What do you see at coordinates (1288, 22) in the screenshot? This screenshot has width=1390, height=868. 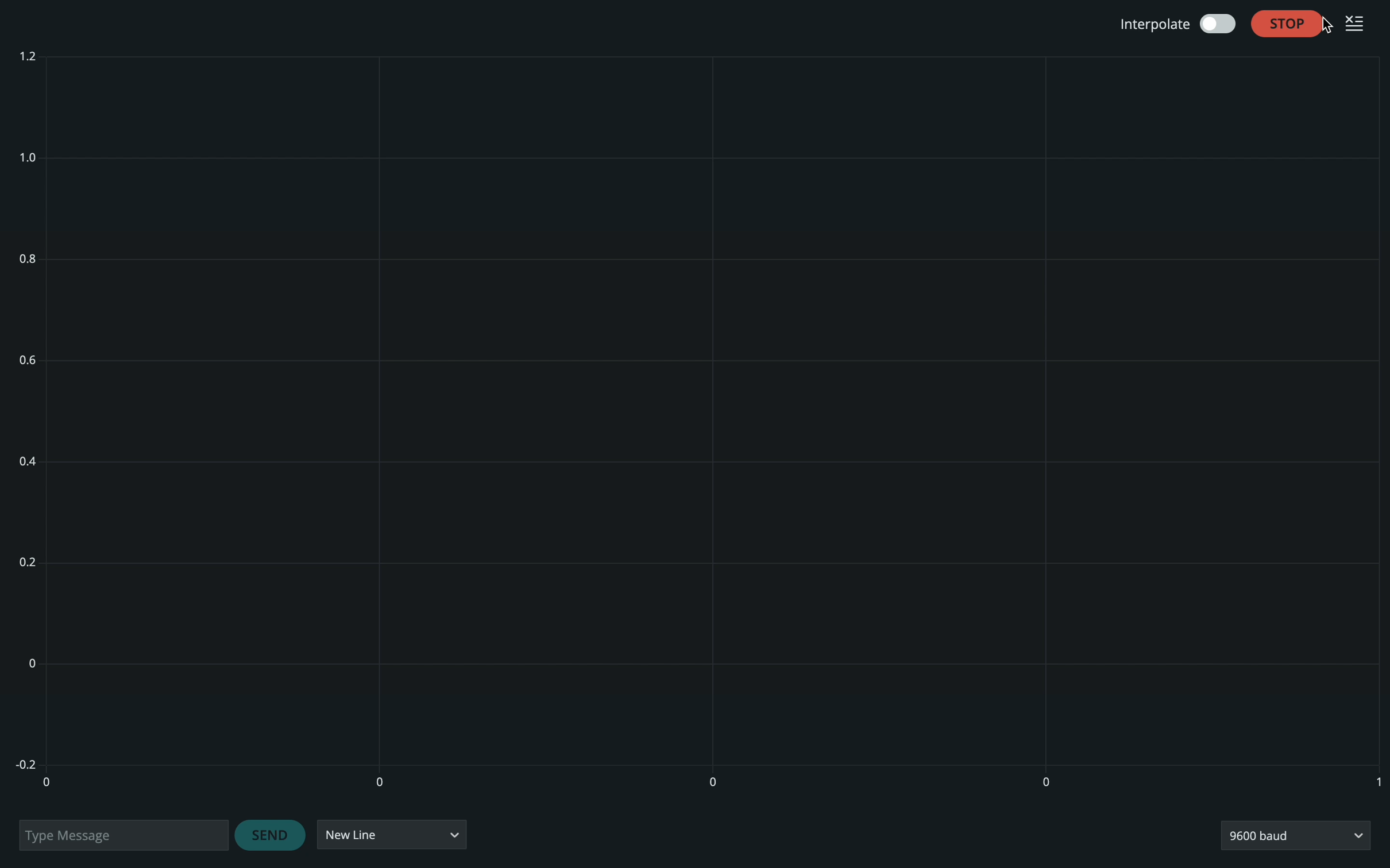 I see `stop` at bounding box center [1288, 22].